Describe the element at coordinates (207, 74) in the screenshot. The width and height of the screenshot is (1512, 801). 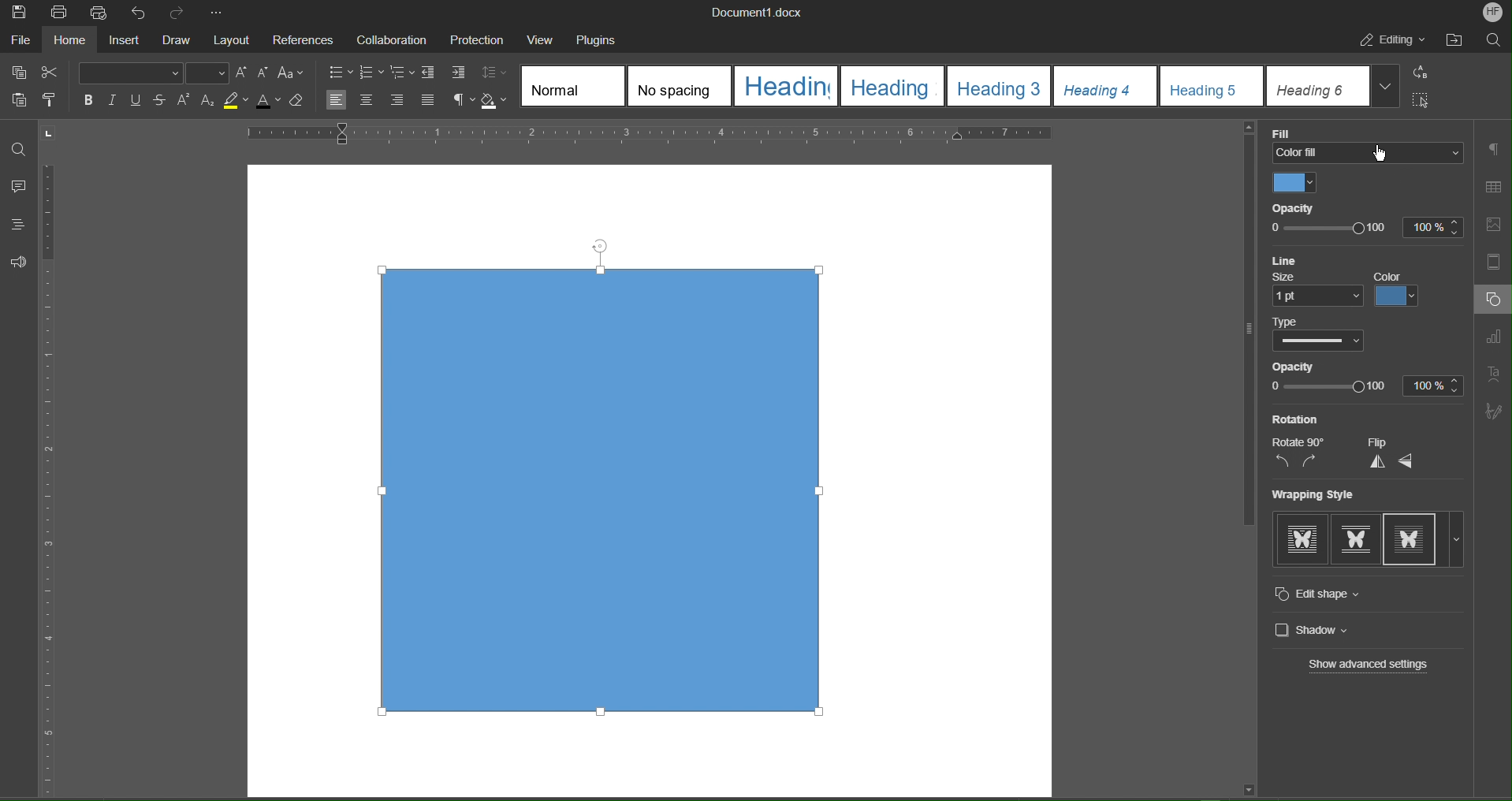
I see `Font Size` at that location.